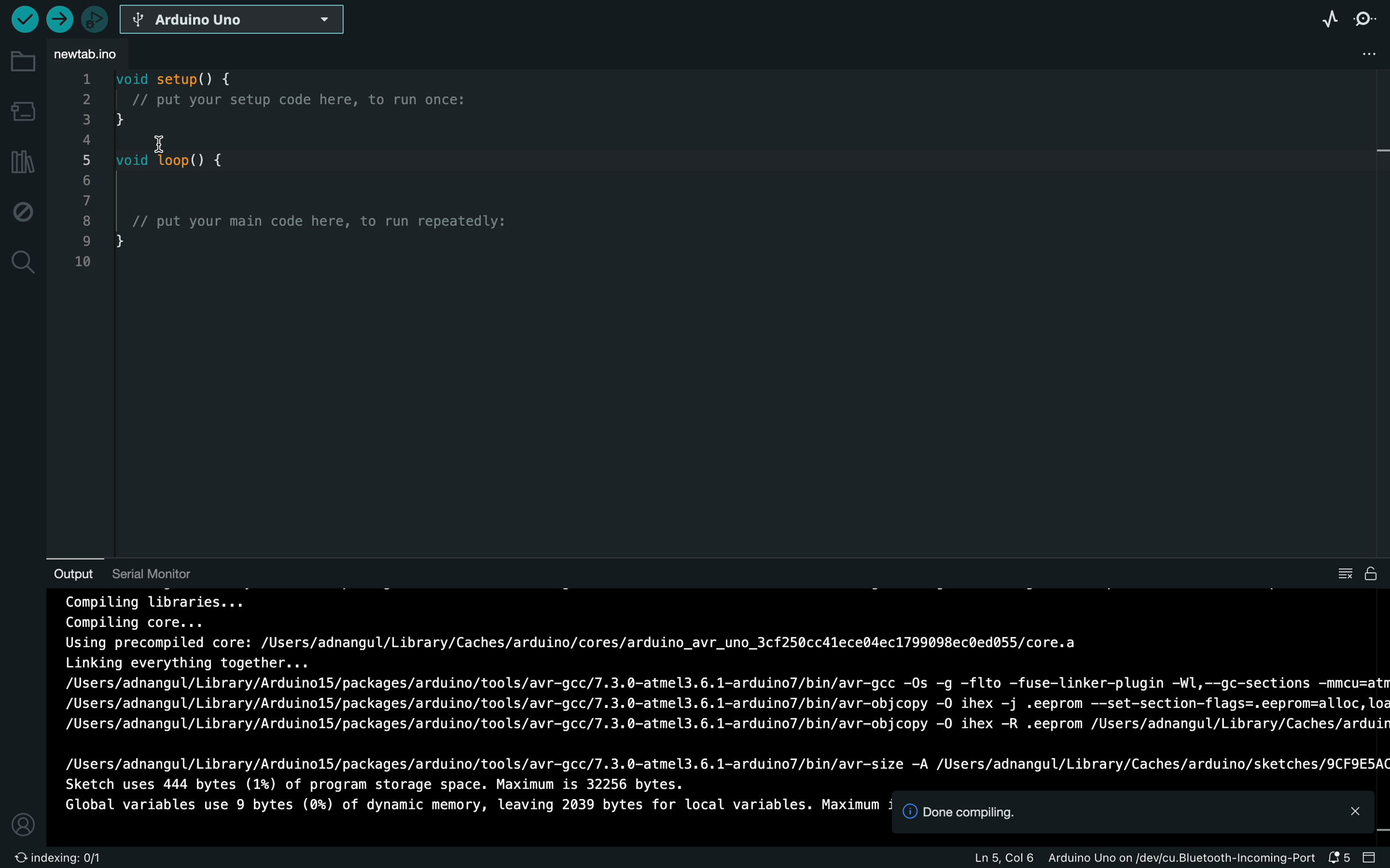 This screenshot has height=868, width=1390. Describe the element at coordinates (24, 20) in the screenshot. I see `verify` at that location.